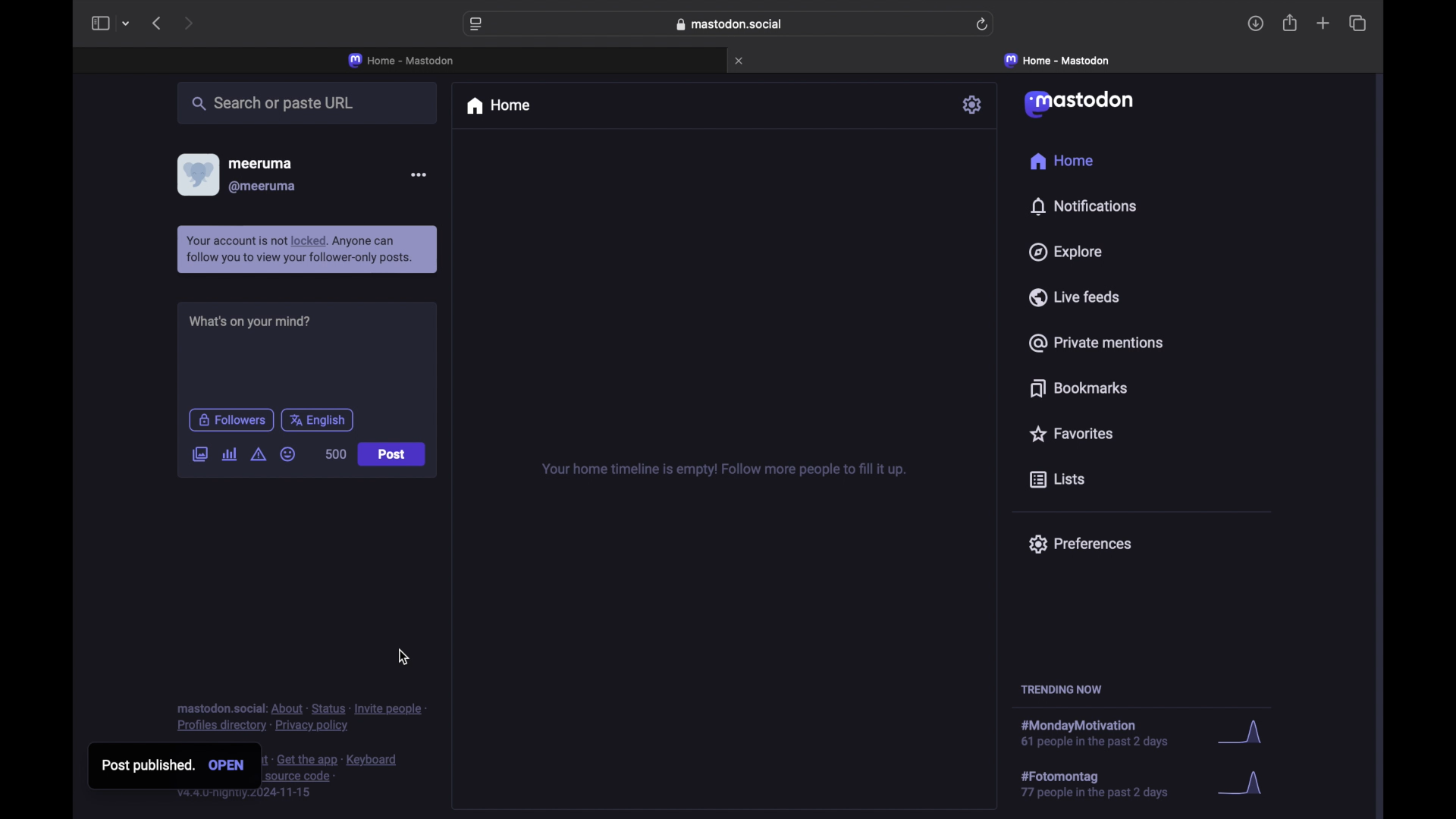 The width and height of the screenshot is (1456, 819). I want to click on settings, so click(974, 105).